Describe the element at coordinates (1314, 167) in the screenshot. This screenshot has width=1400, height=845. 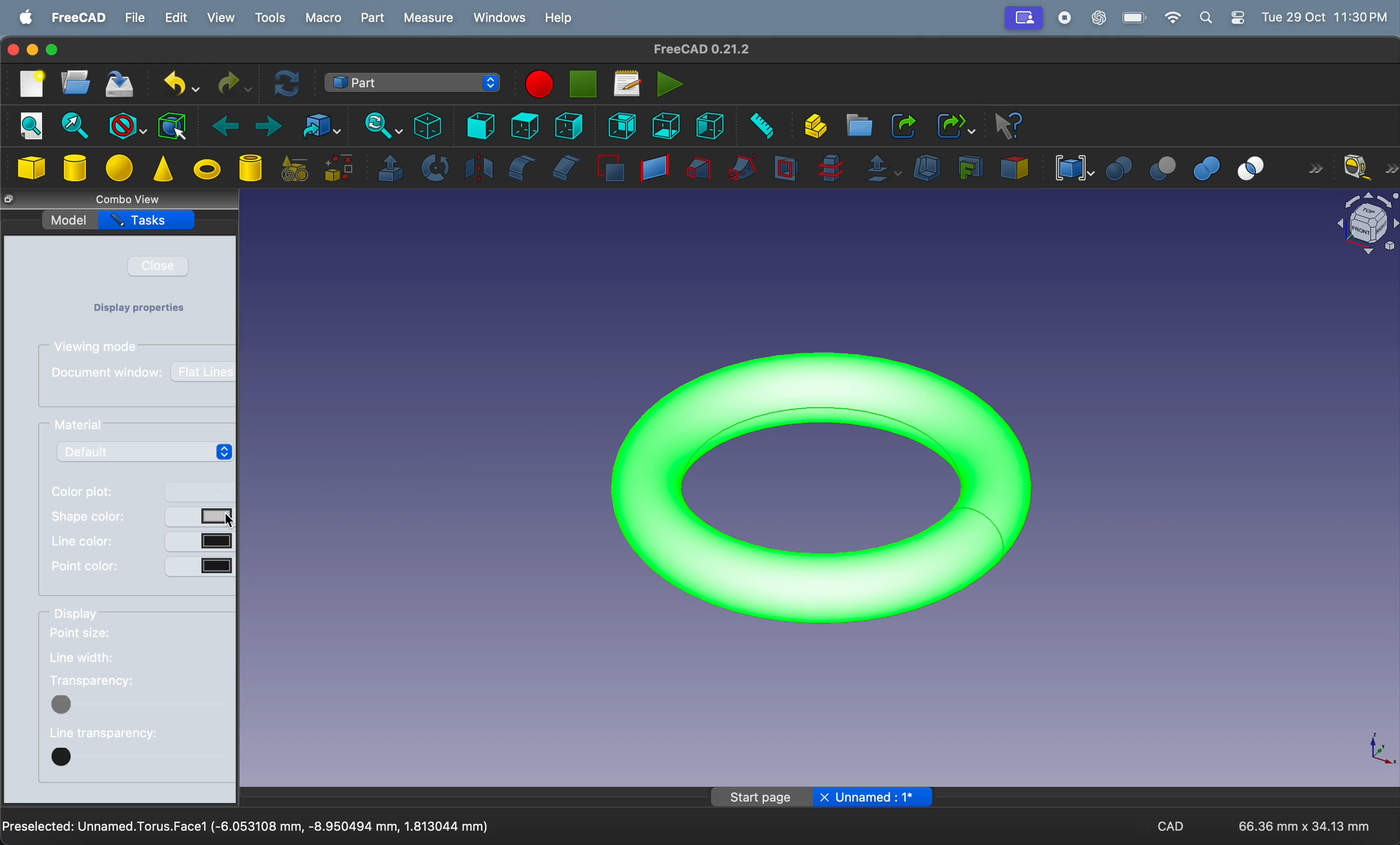
I see `forward` at that location.